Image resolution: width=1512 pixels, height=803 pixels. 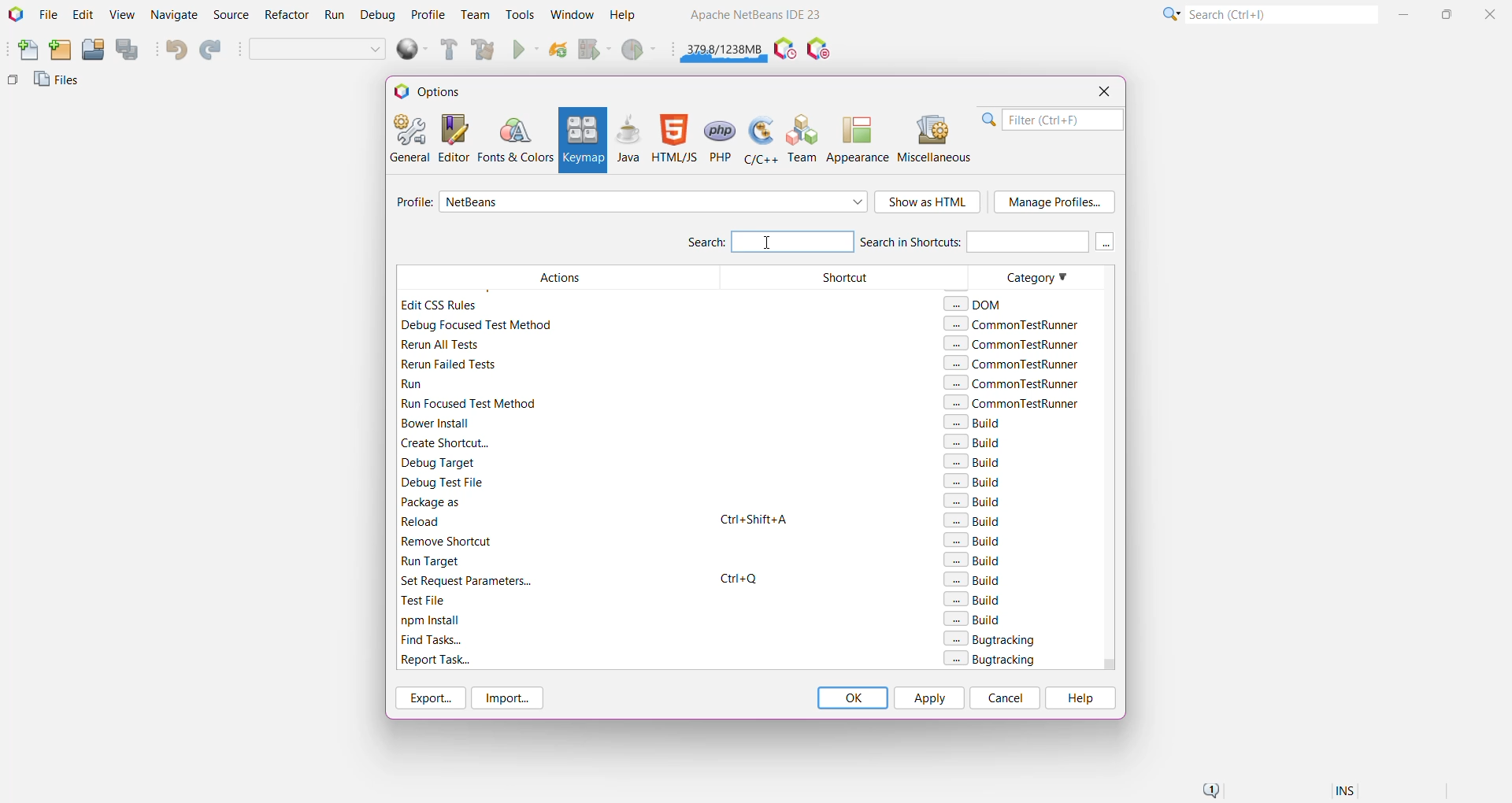 I want to click on Options, so click(x=435, y=91).